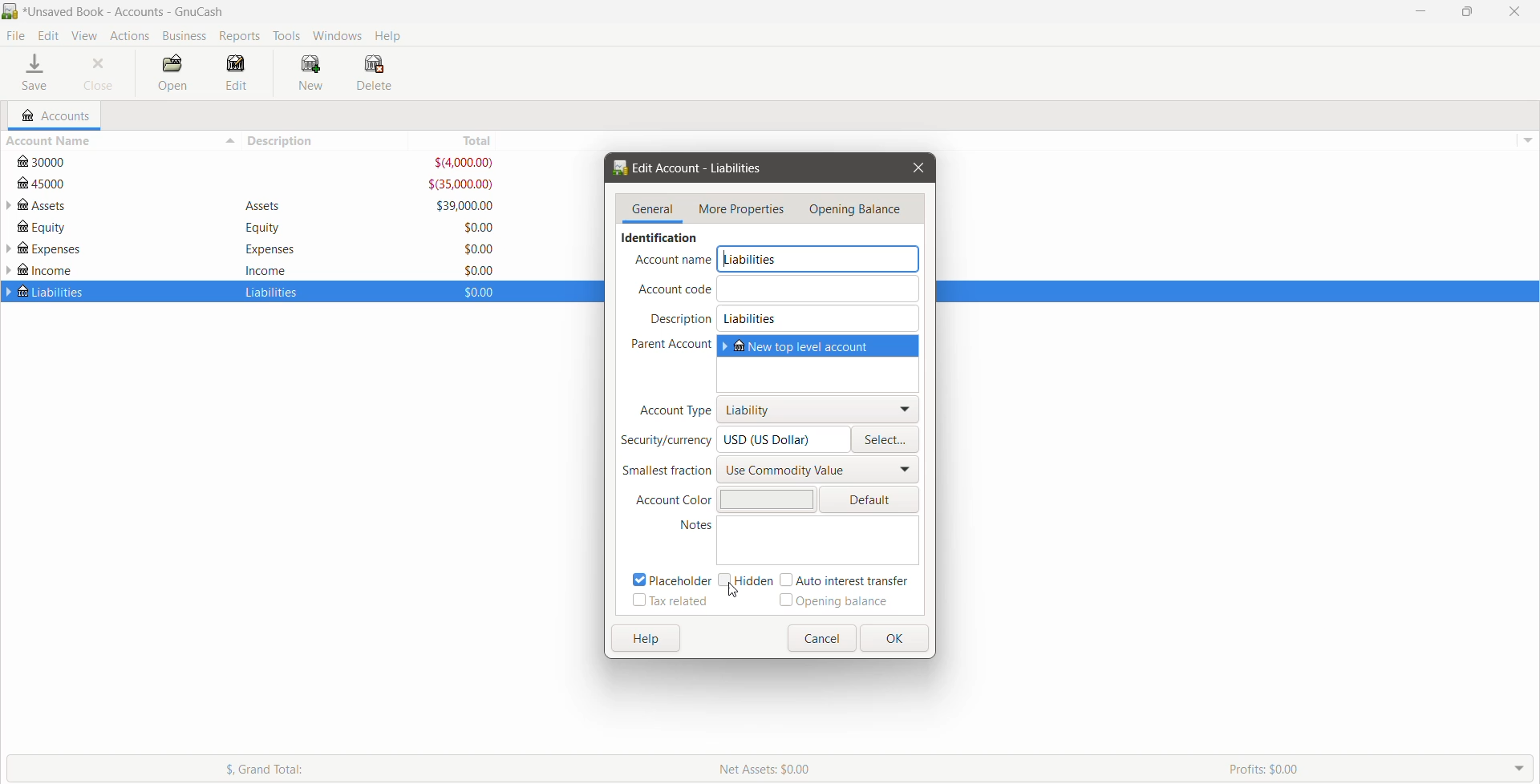 The image size is (1540, 784). Describe the element at coordinates (667, 579) in the screenshot. I see `Placeholder - click to enable/disable` at that location.